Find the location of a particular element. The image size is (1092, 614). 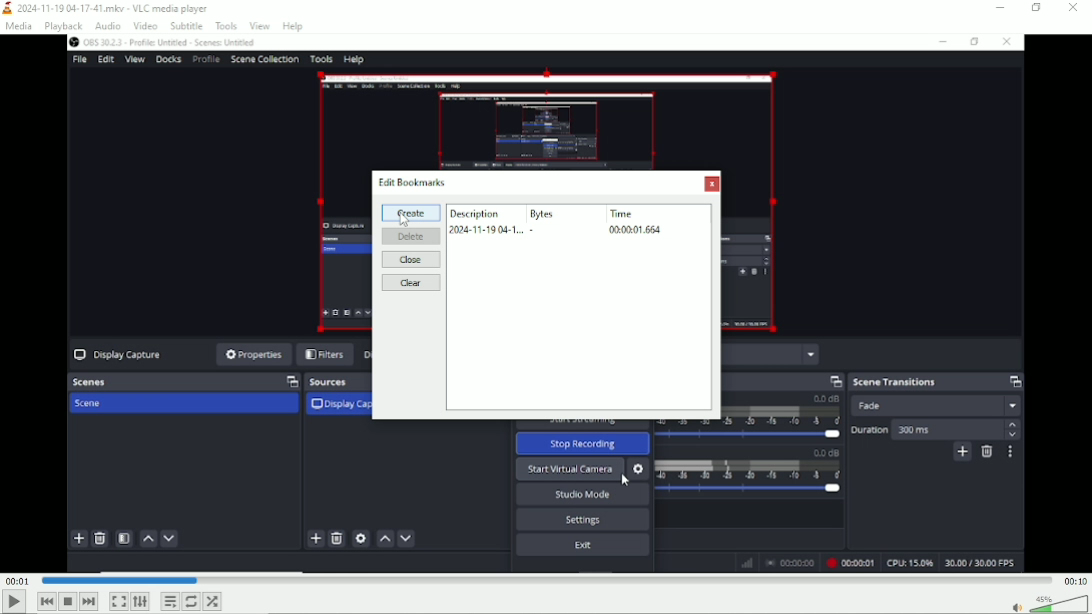

Toggle loop all, loop one and no loop  is located at coordinates (192, 601).